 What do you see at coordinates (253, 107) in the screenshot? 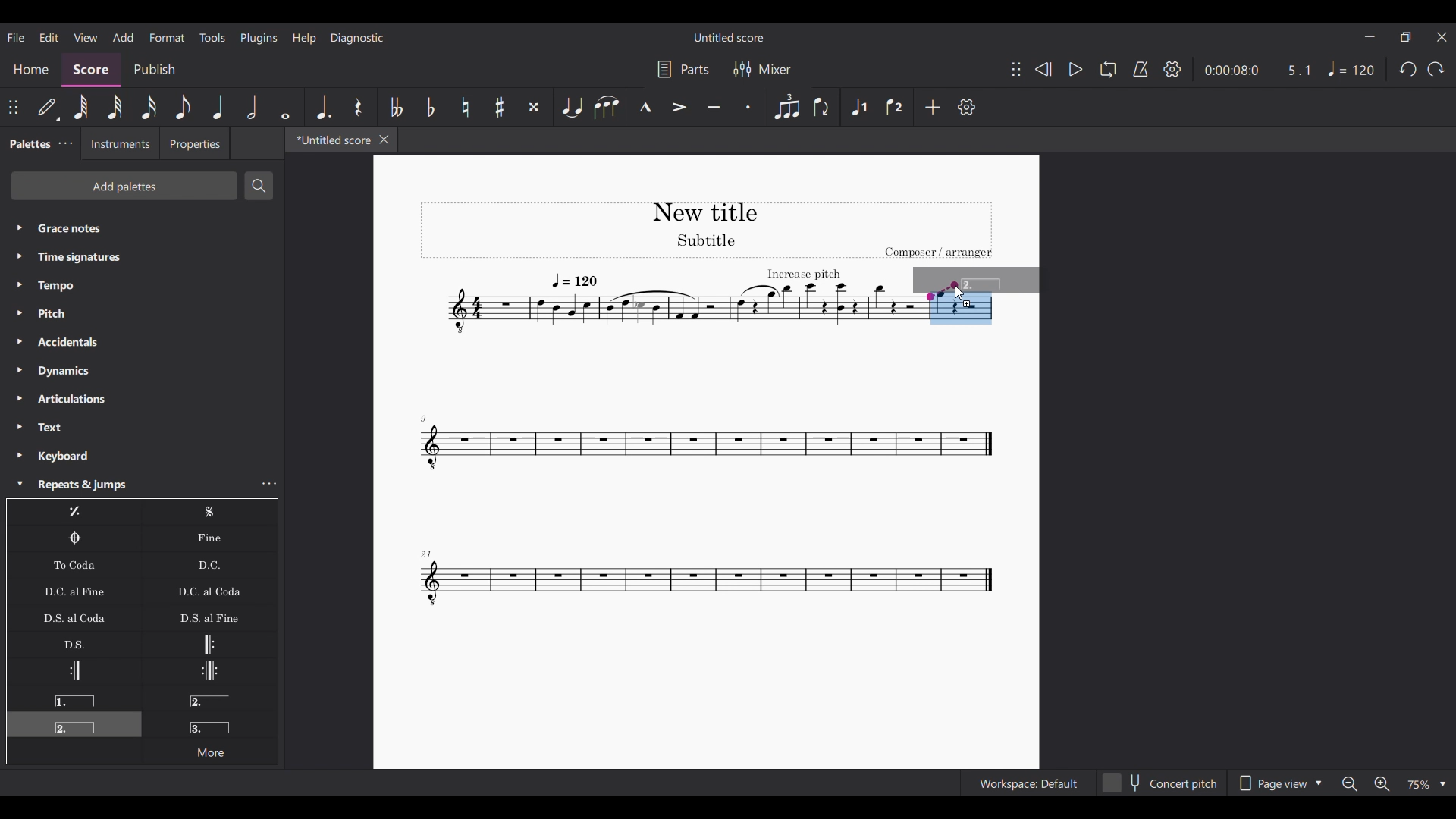
I see `Half note` at bounding box center [253, 107].